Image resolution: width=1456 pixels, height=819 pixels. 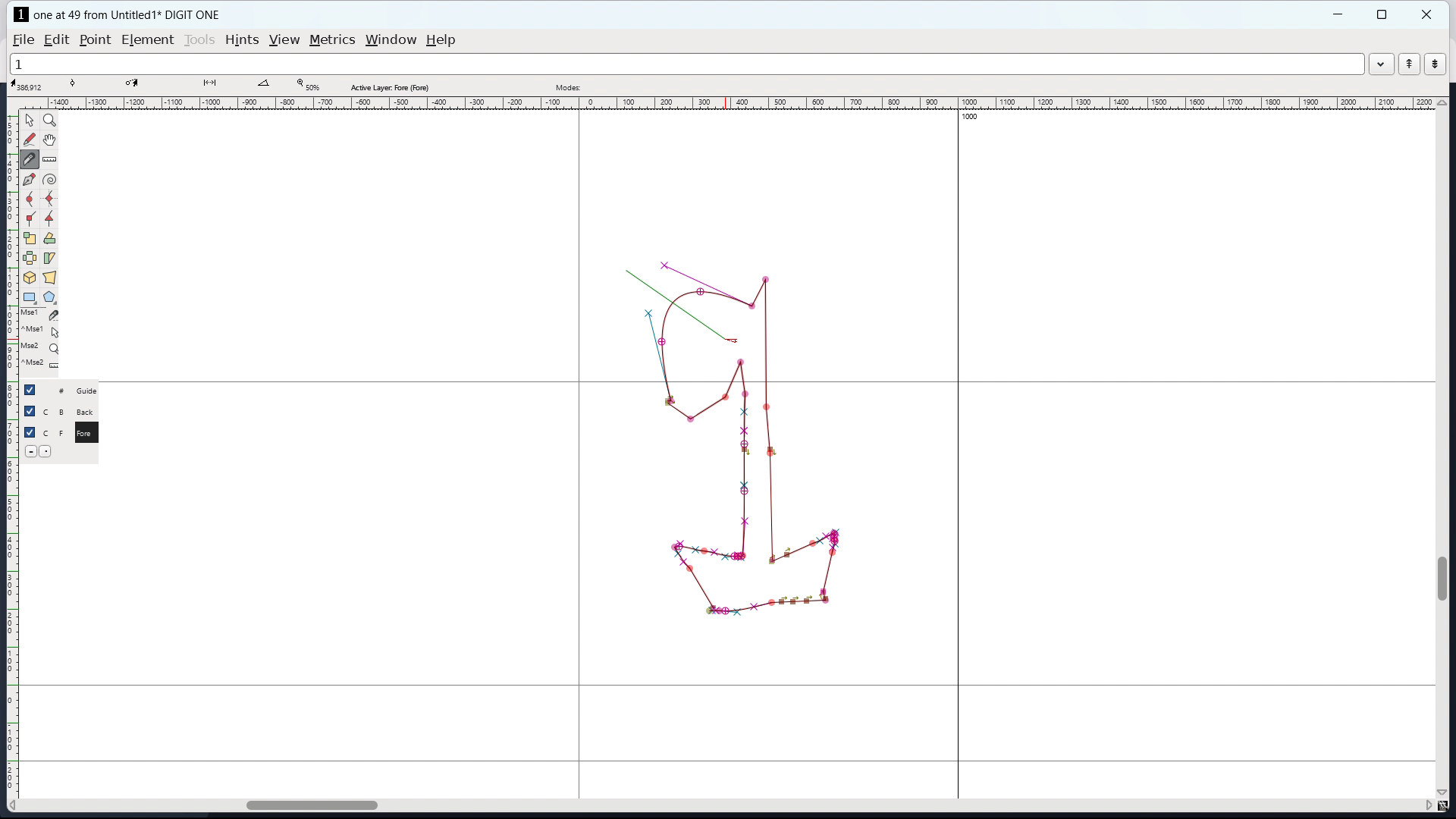 What do you see at coordinates (48, 450) in the screenshot?
I see `add new layer` at bounding box center [48, 450].